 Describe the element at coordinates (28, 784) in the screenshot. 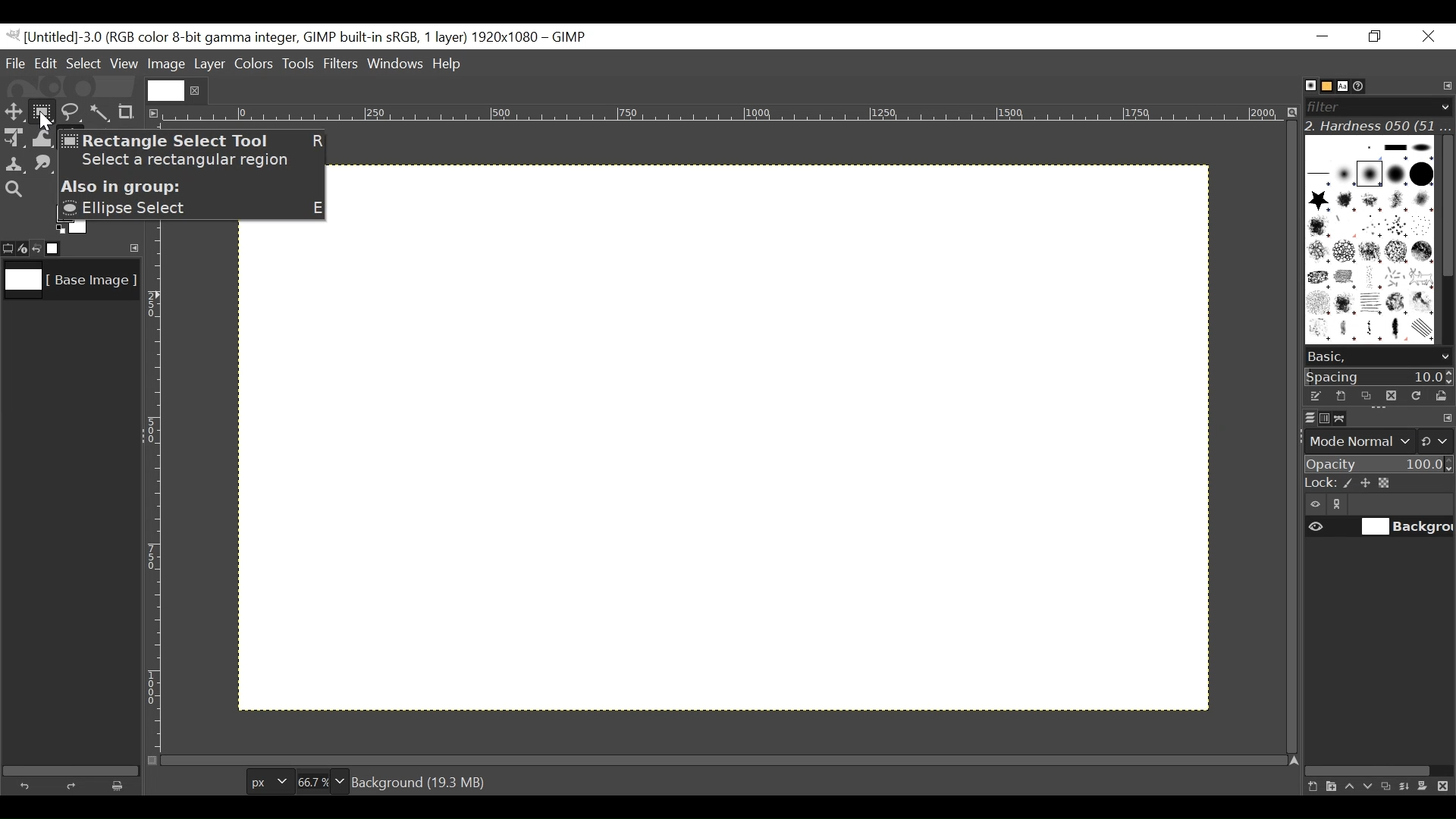

I see `Undo` at that location.